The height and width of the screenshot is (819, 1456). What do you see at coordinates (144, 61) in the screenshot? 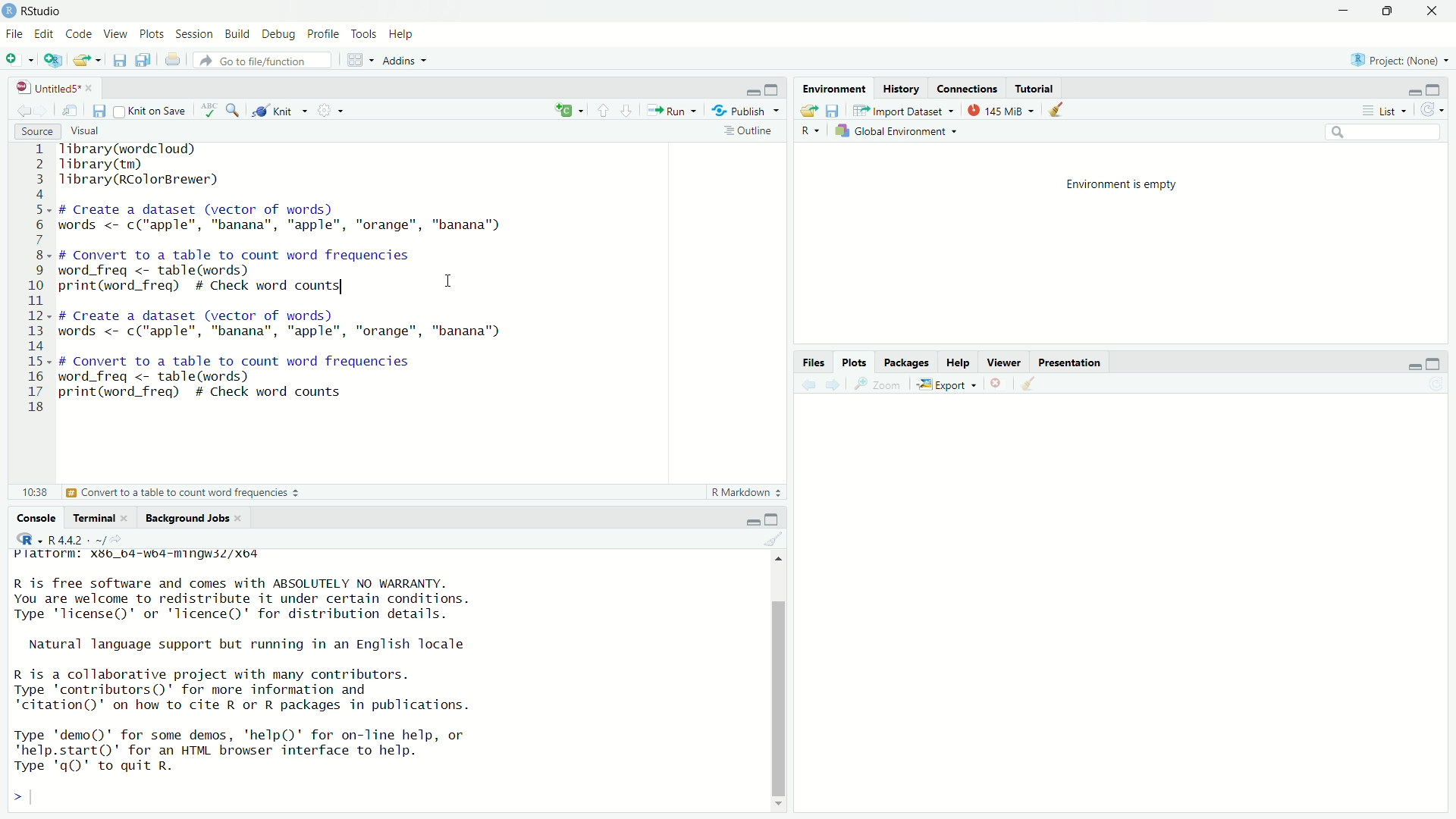
I see `Save all open documents` at bounding box center [144, 61].